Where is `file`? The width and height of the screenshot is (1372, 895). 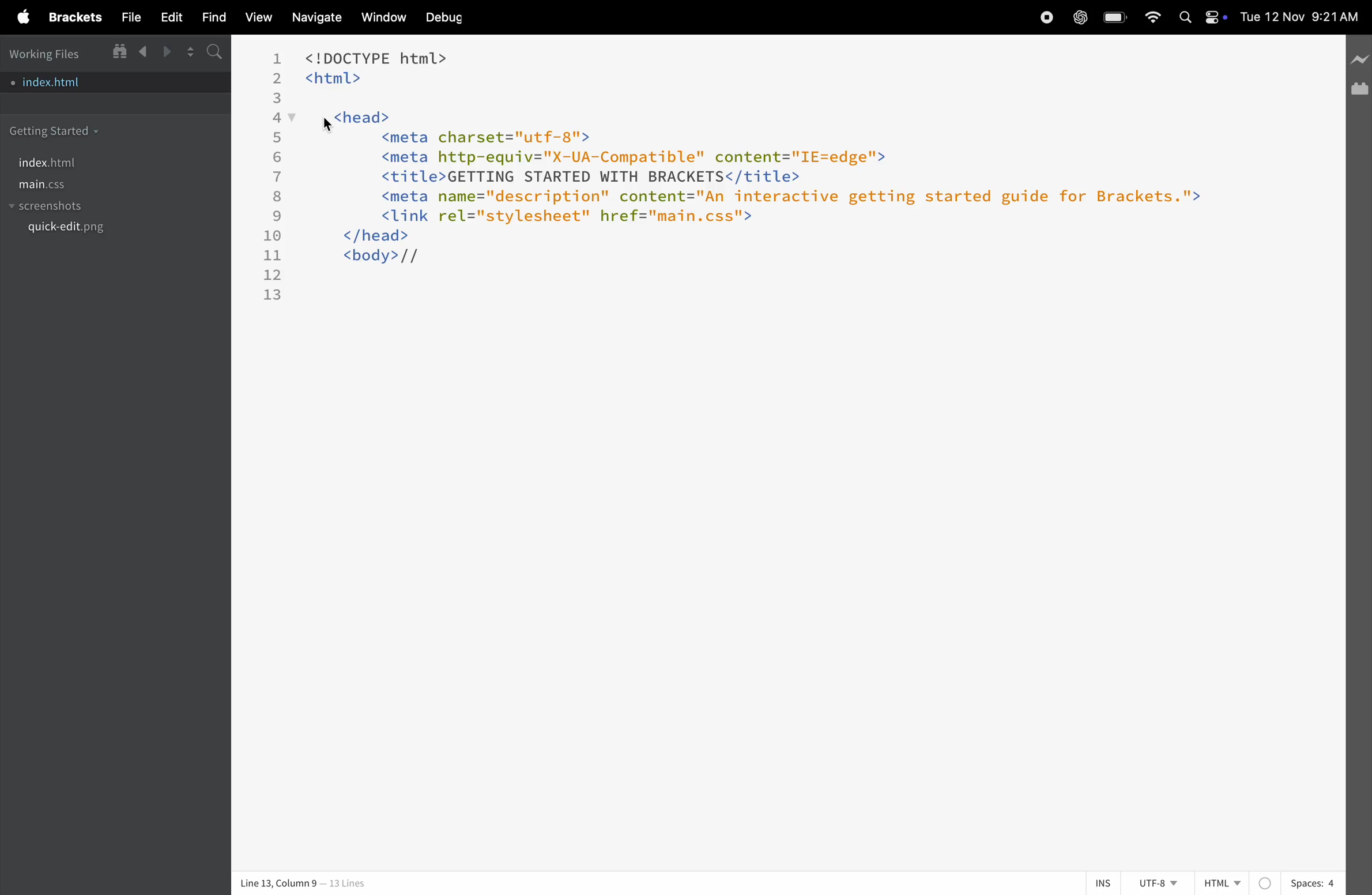 file is located at coordinates (126, 17).